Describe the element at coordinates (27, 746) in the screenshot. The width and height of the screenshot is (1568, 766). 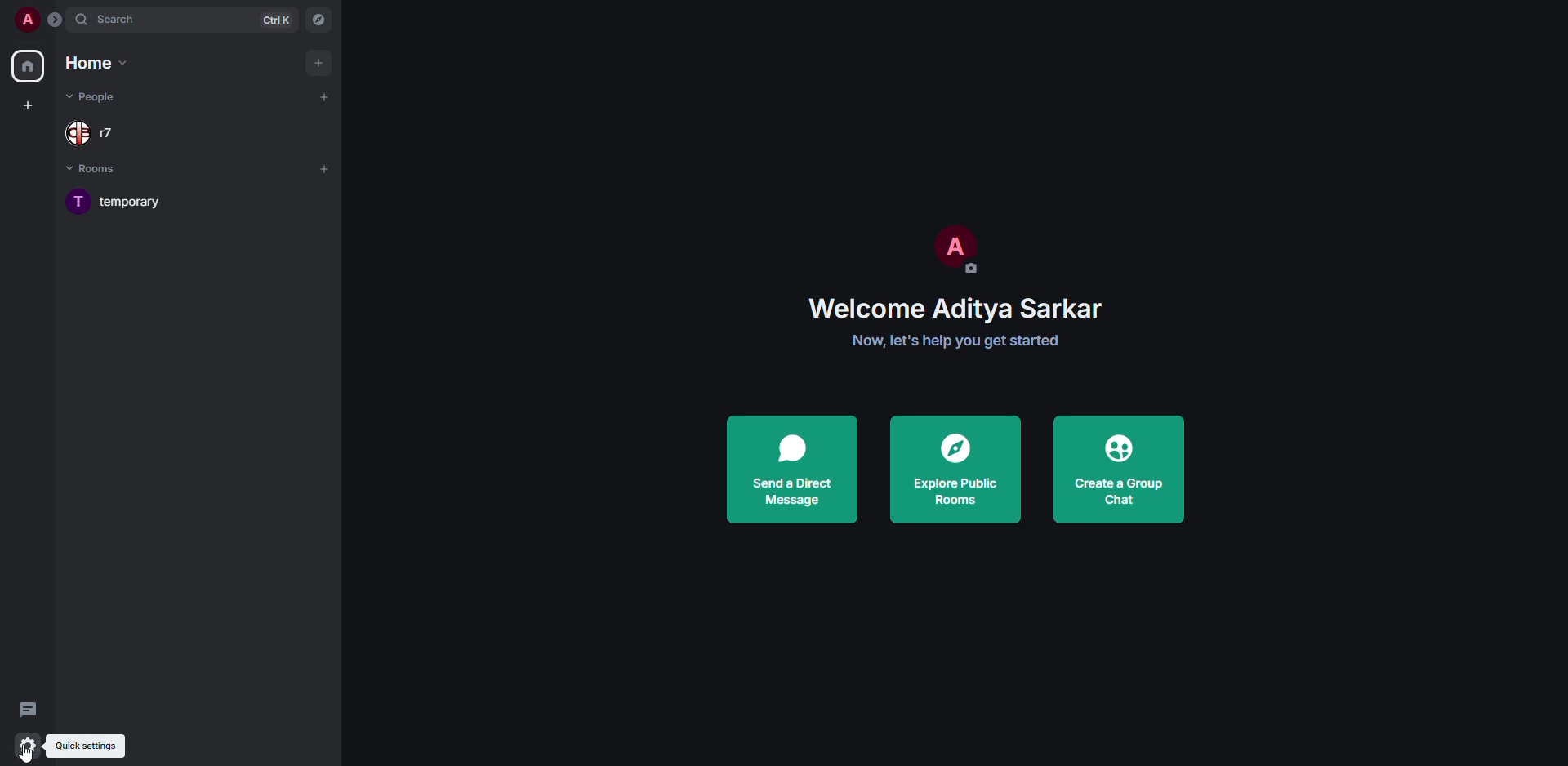
I see `quick settings` at that location.